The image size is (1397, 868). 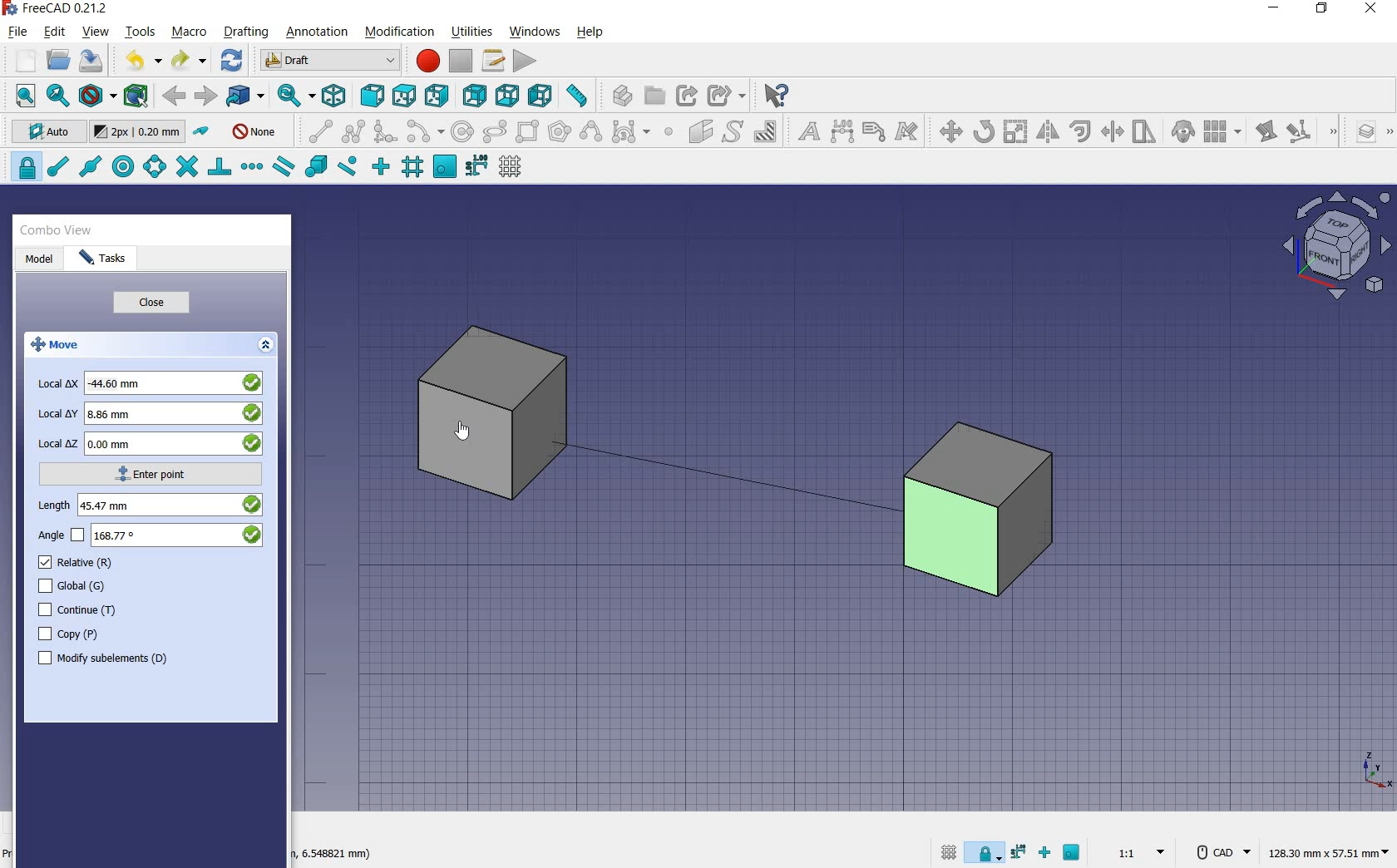 What do you see at coordinates (1275, 10) in the screenshot?
I see `minimize` at bounding box center [1275, 10].